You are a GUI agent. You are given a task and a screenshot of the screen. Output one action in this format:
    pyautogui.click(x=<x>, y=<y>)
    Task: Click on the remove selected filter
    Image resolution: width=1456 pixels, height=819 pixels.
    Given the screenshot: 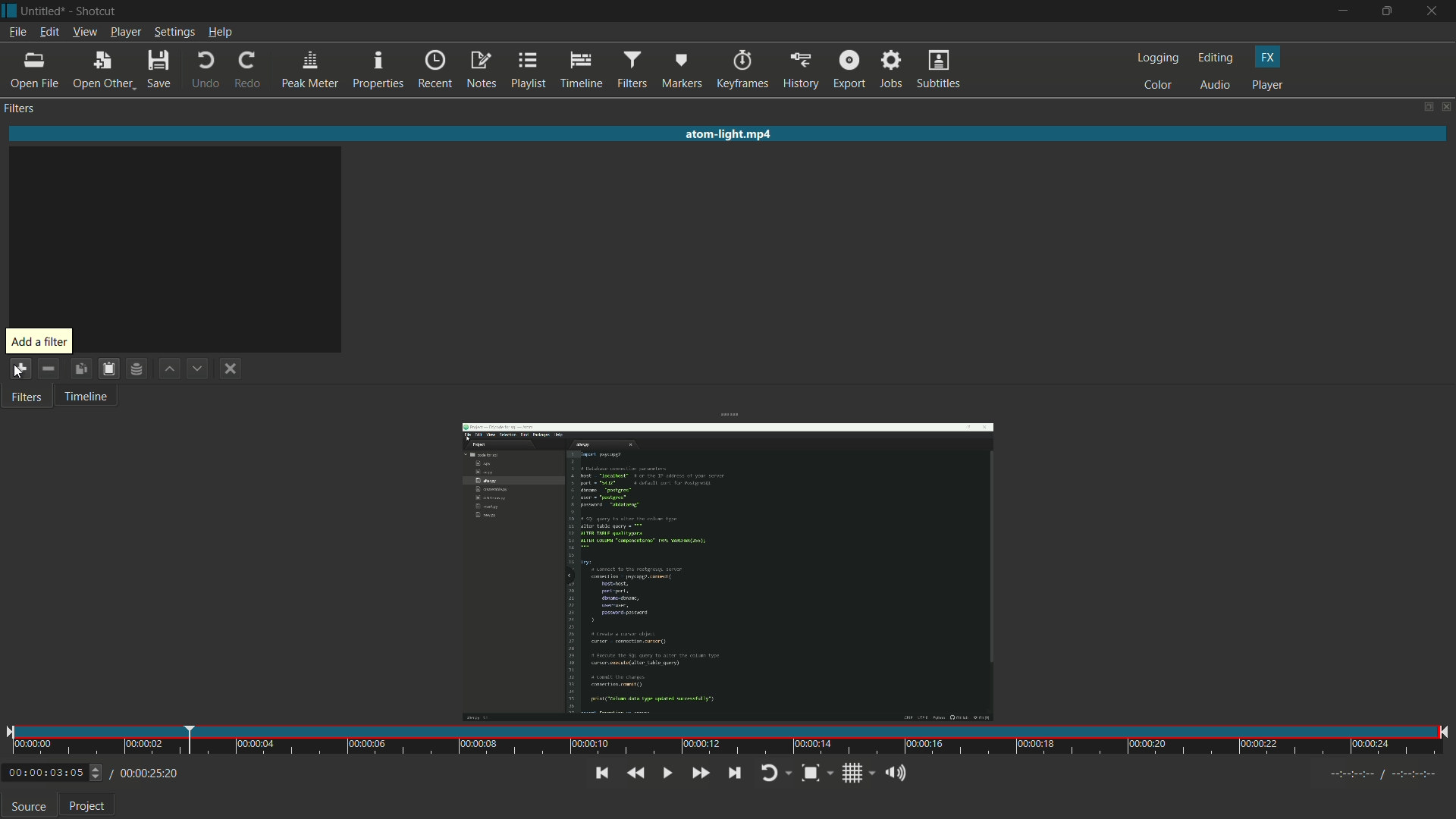 What is the action you would take?
    pyautogui.click(x=49, y=369)
    